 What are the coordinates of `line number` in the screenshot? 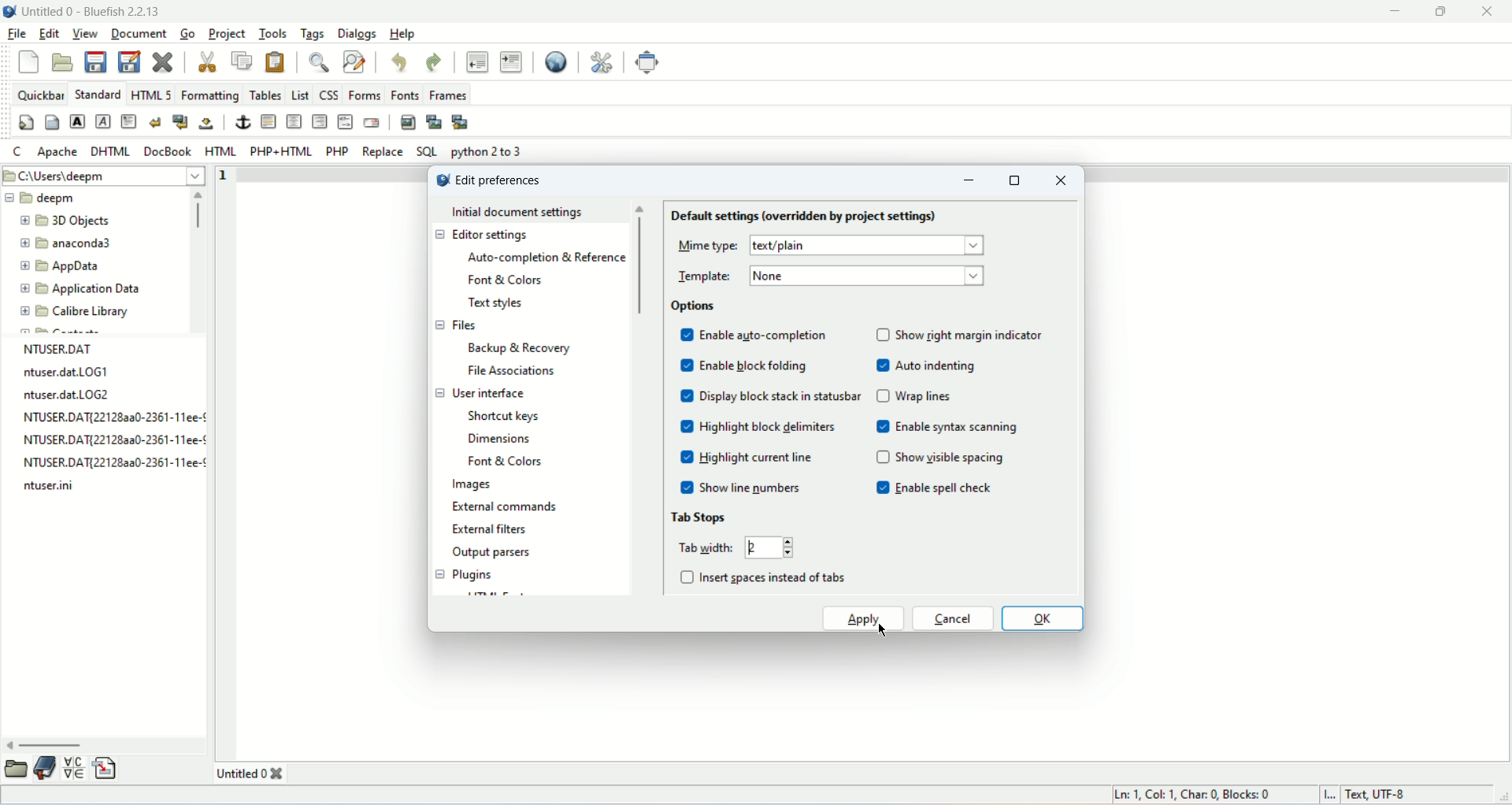 It's located at (228, 175).